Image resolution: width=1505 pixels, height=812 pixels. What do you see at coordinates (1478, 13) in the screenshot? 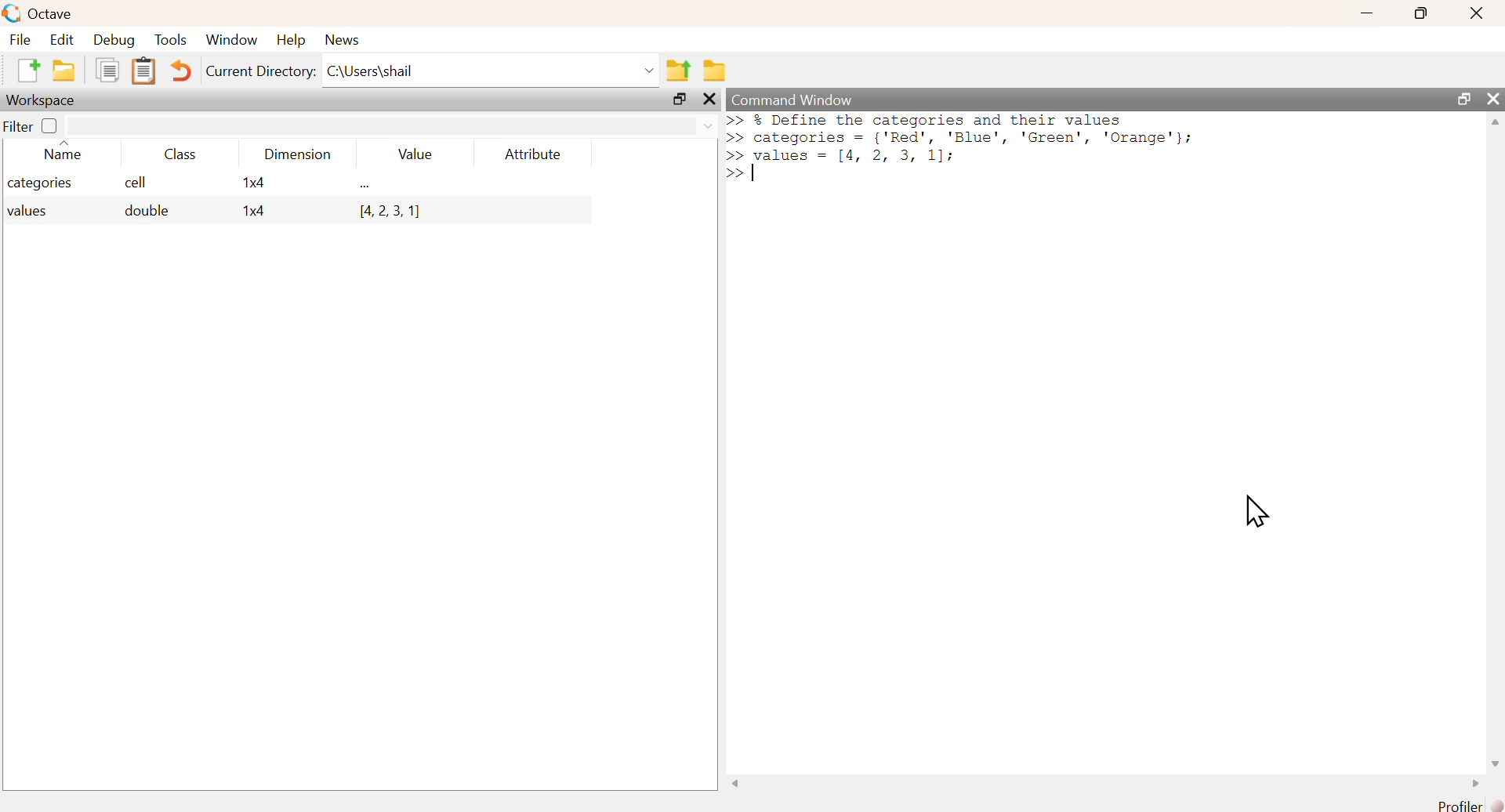
I see `close` at bounding box center [1478, 13].